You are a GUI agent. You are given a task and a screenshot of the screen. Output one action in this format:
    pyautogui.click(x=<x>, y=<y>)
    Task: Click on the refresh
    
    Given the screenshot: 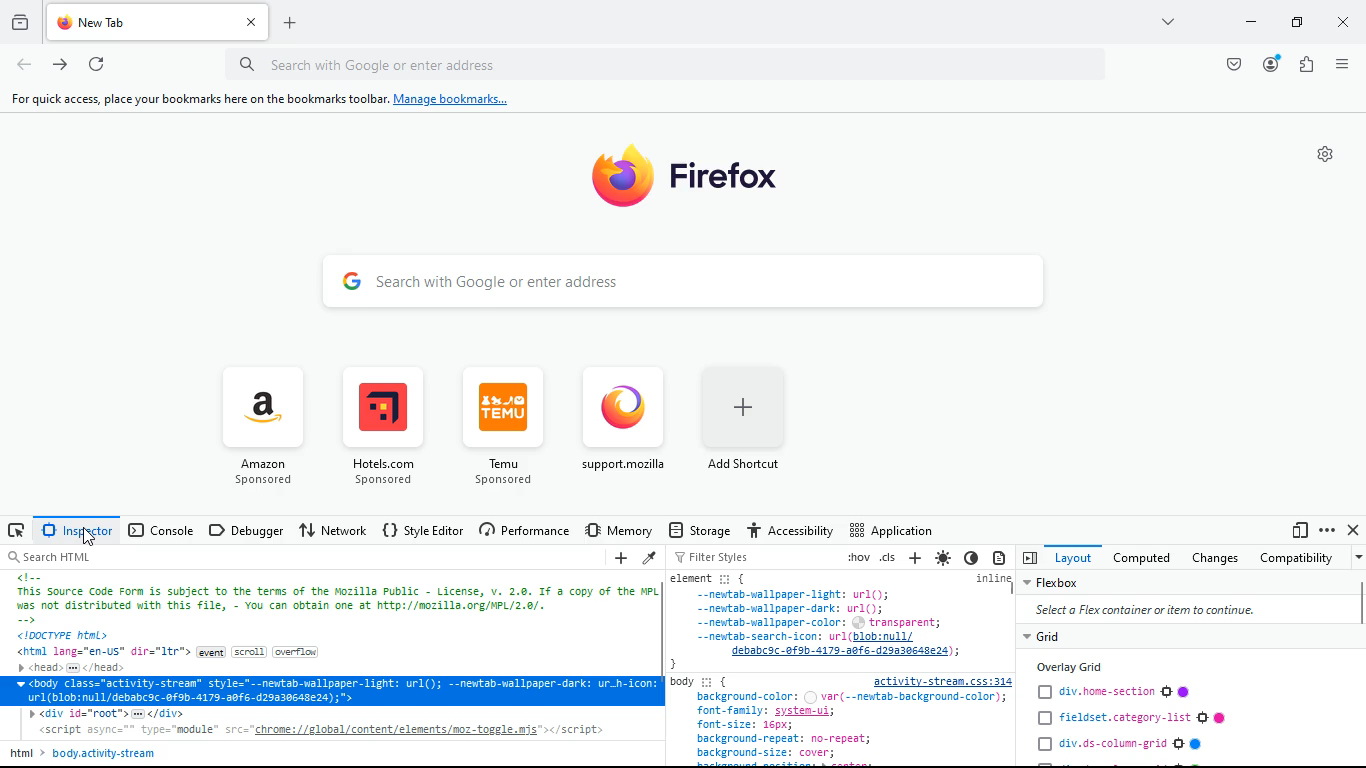 What is the action you would take?
    pyautogui.click(x=95, y=65)
    